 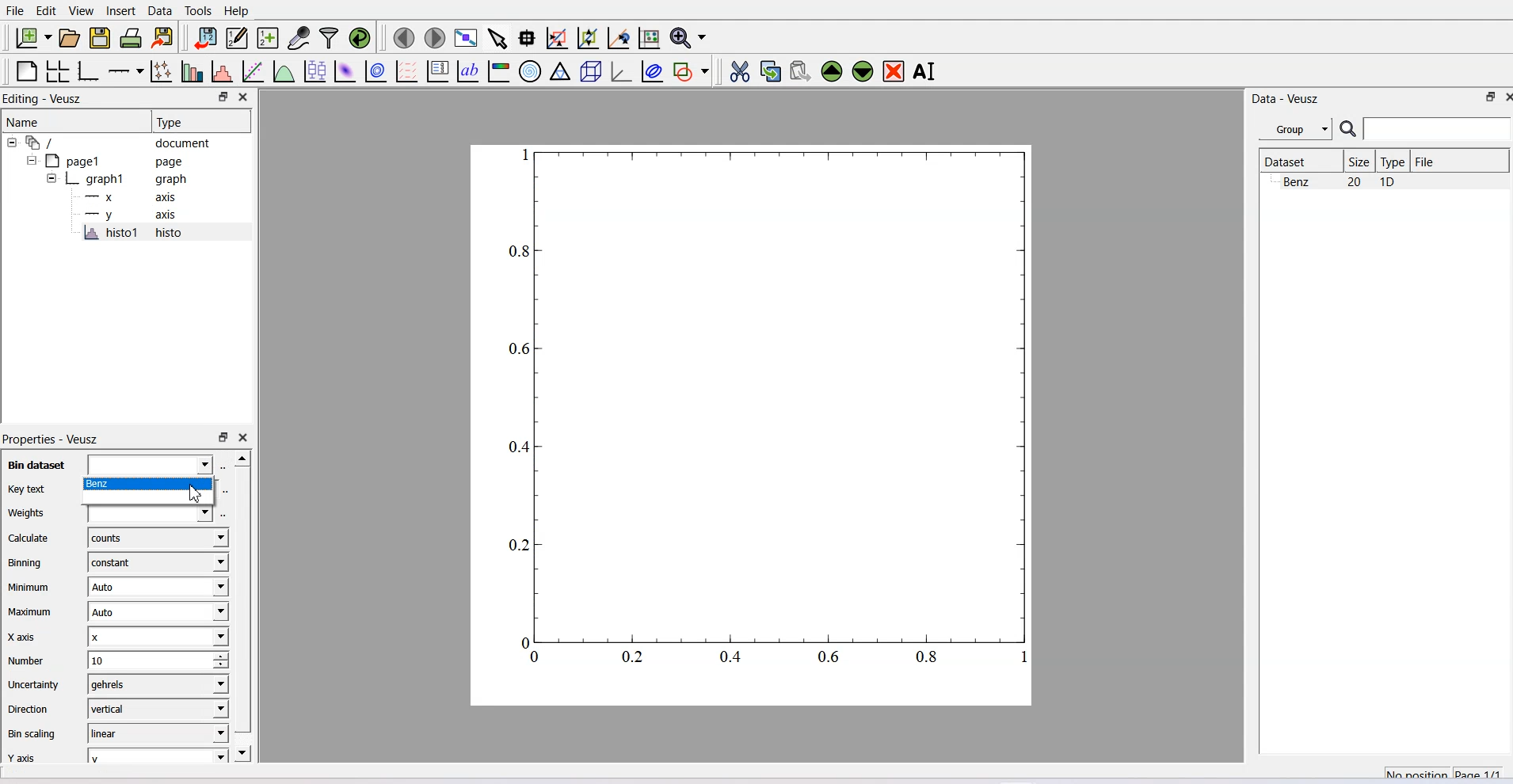 What do you see at coordinates (467, 71) in the screenshot?
I see `Text label` at bounding box center [467, 71].